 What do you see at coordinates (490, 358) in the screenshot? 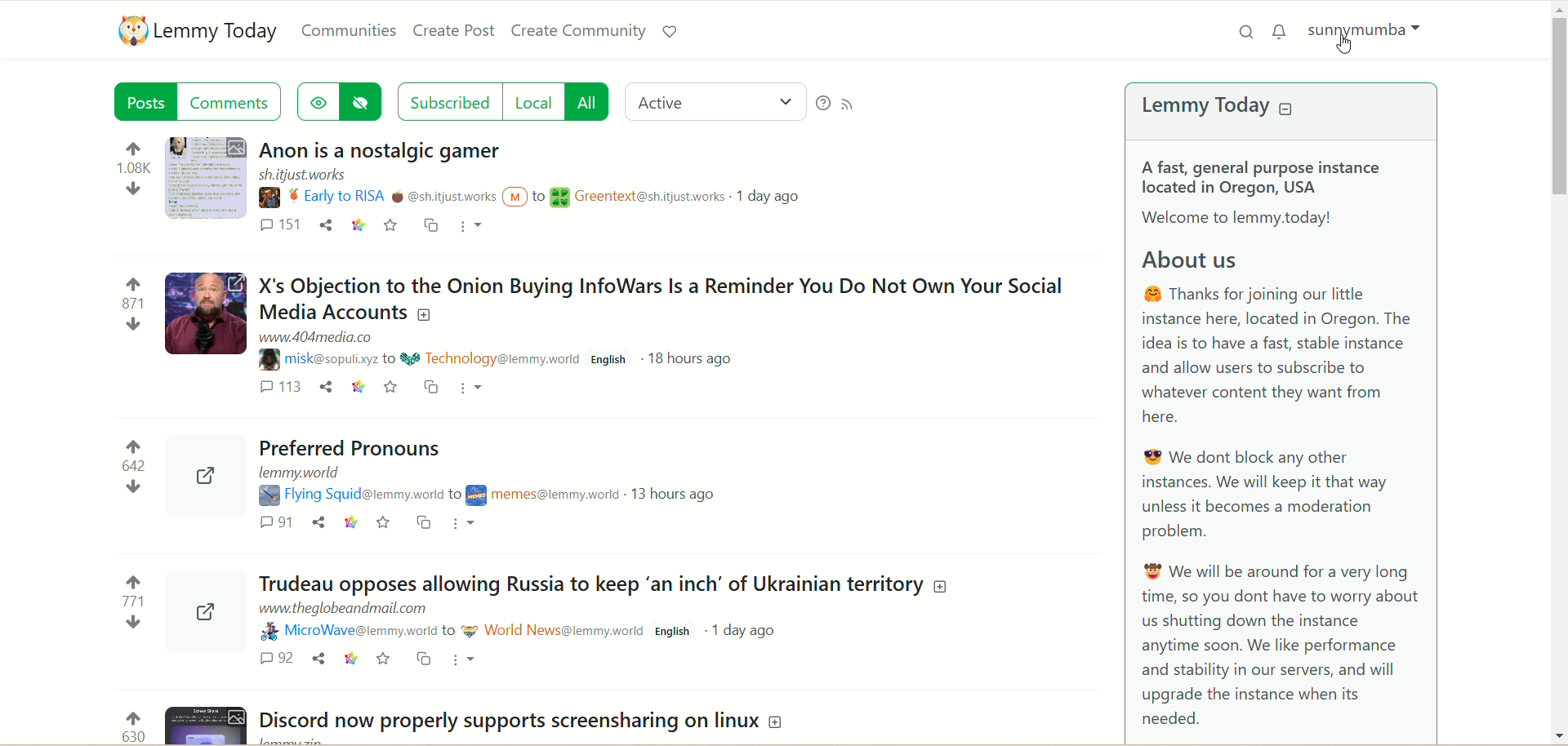
I see `Community` at bounding box center [490, 358].